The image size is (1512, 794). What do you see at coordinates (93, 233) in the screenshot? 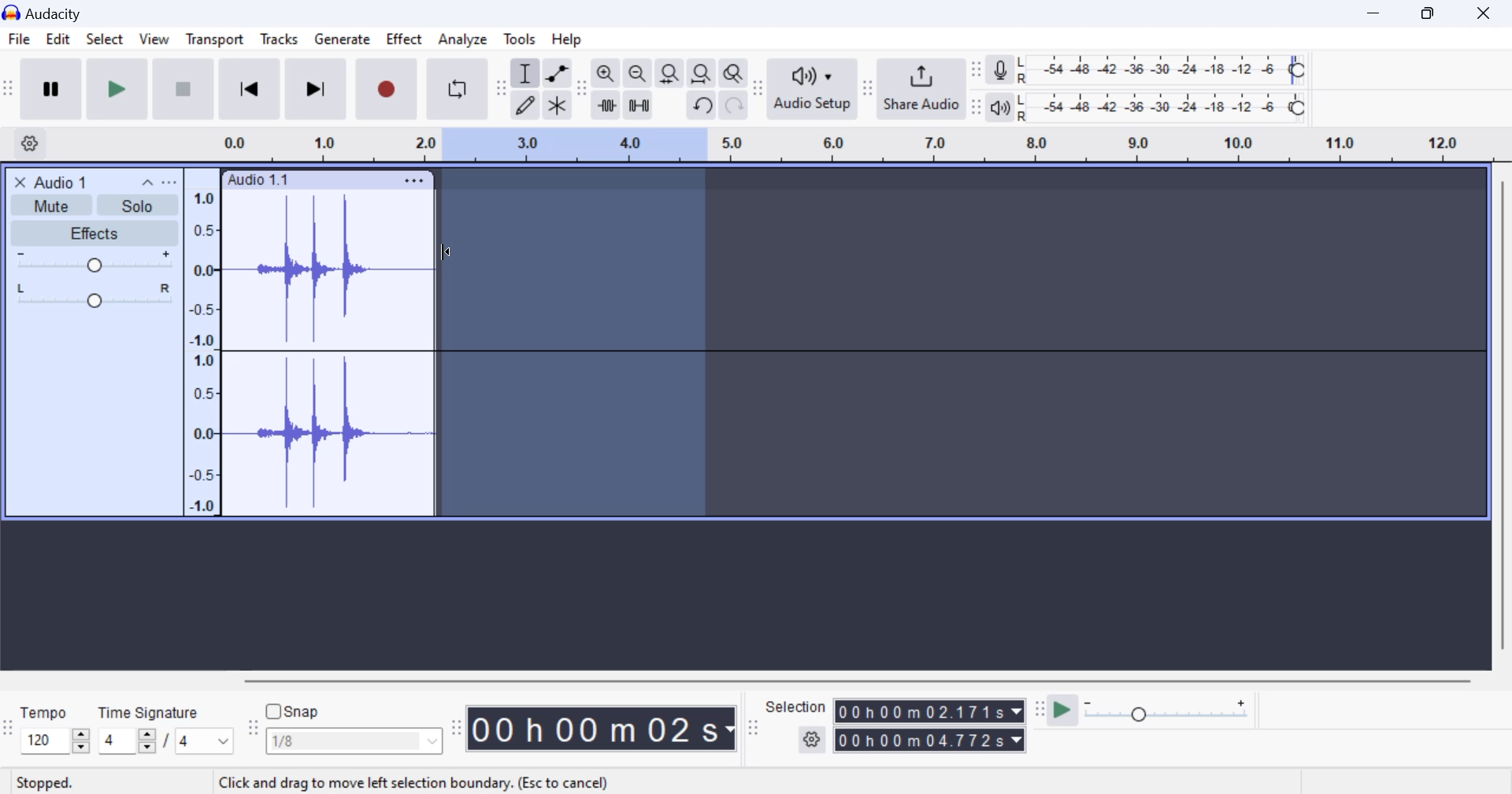
I see `Effects` at bounding box center [93, 233].